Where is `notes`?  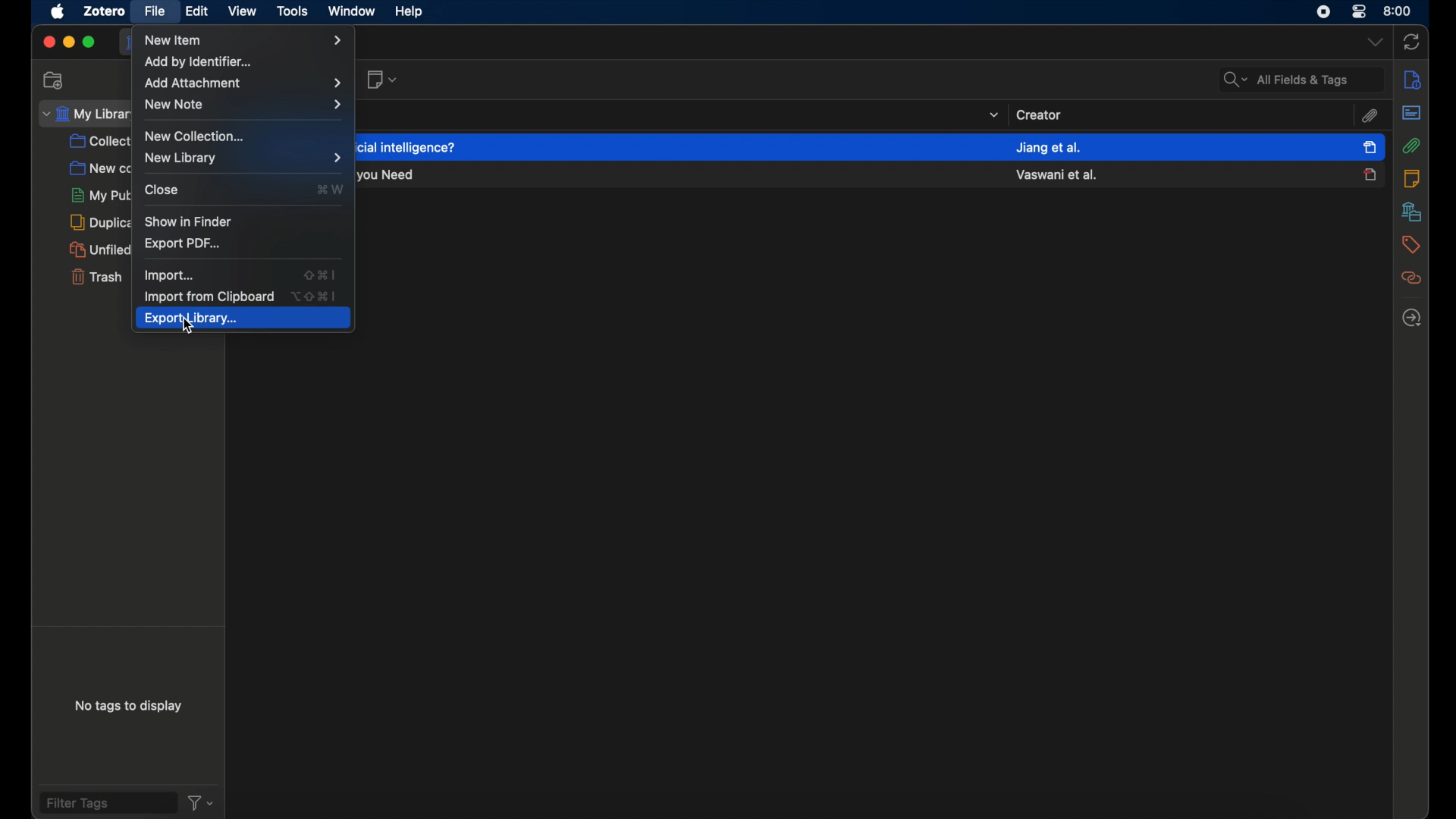
notes is located at coordinates (1411, 179).